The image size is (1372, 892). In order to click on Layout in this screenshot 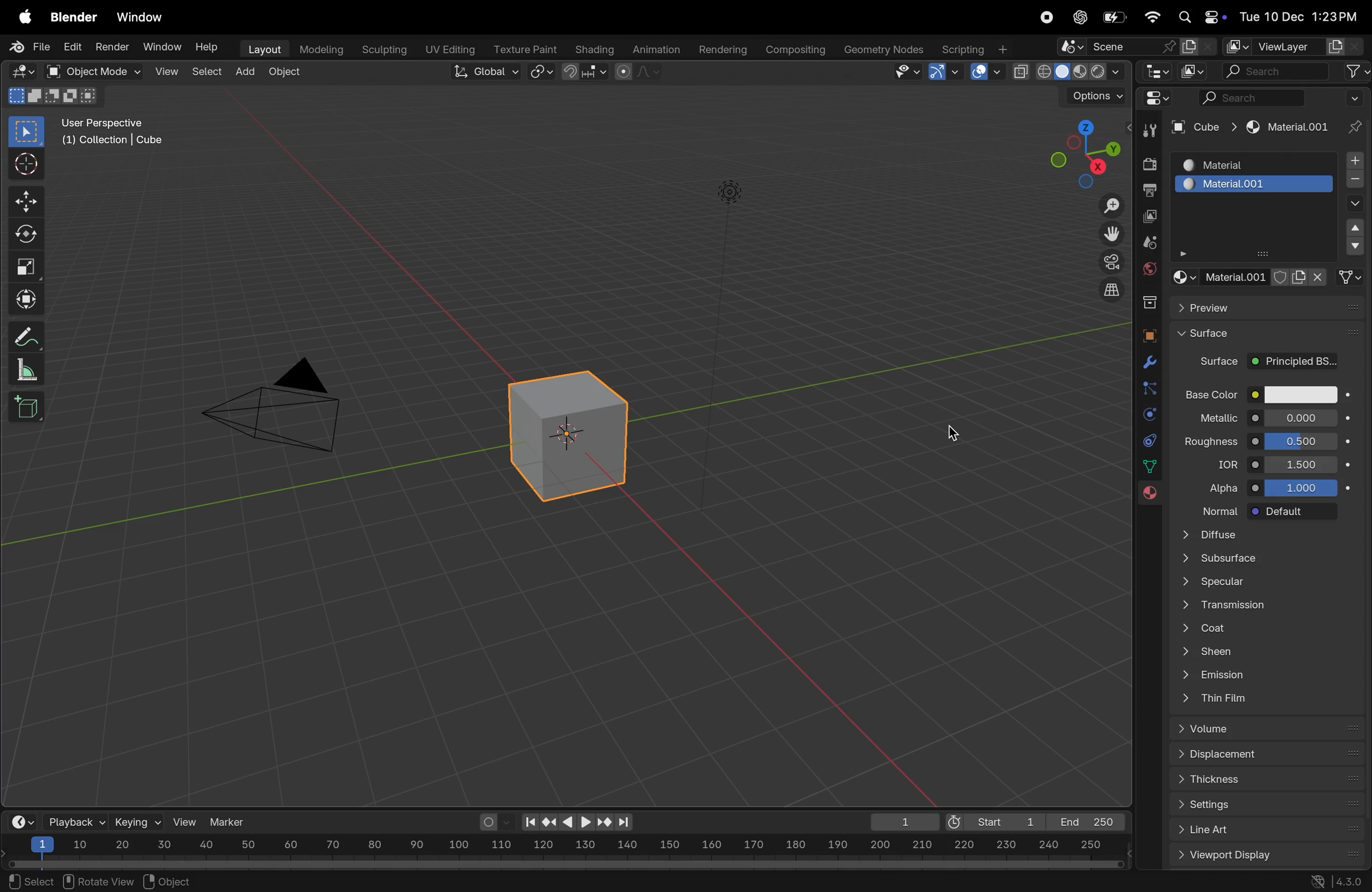, I will do `click(262, 48)`.